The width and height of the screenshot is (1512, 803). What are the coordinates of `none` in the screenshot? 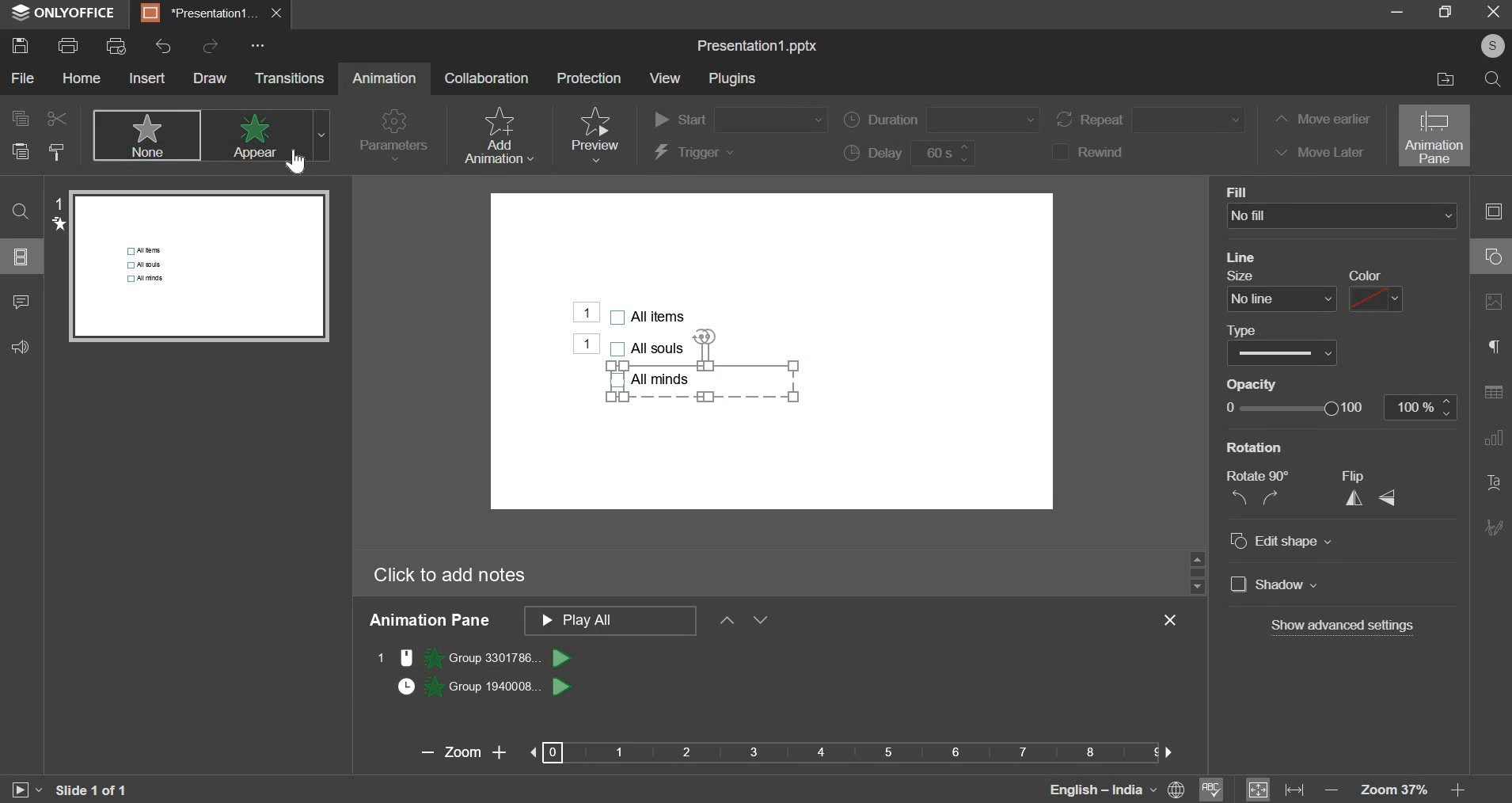 It's located at (145, 135).